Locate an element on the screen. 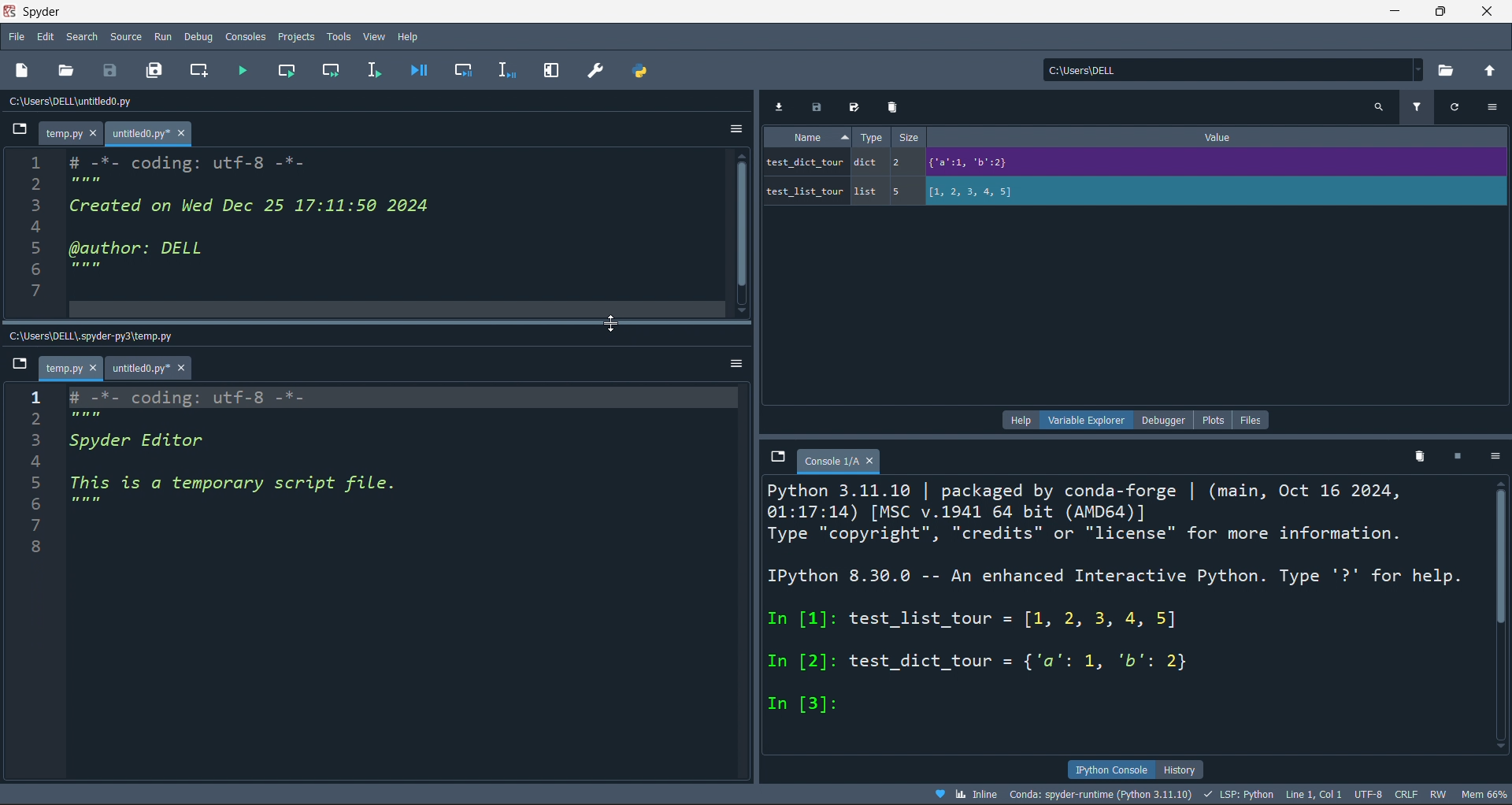  source is located at coordinates (121, 36).